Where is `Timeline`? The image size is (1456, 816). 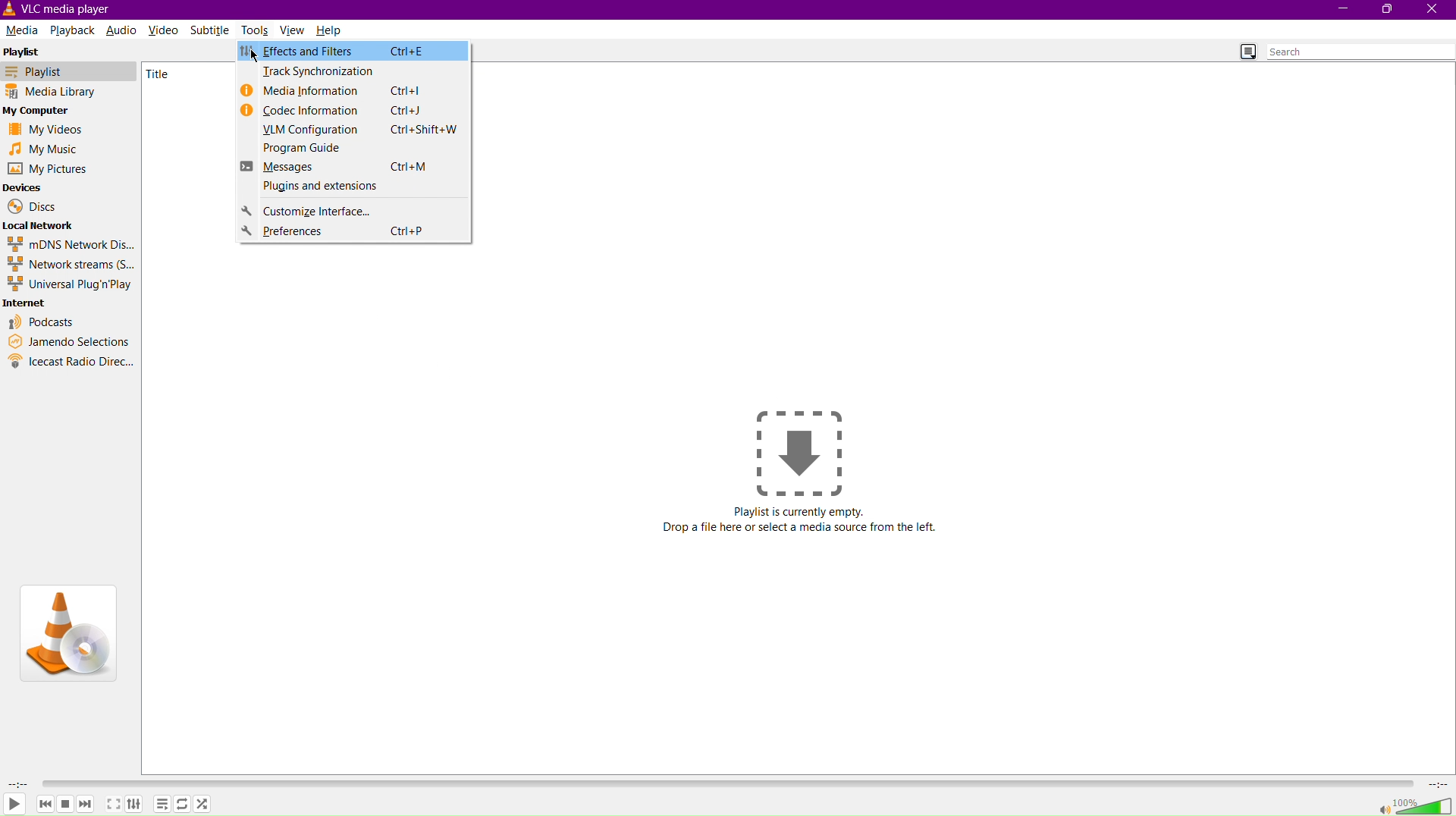 Timeline is located at coordinates (735, 780).